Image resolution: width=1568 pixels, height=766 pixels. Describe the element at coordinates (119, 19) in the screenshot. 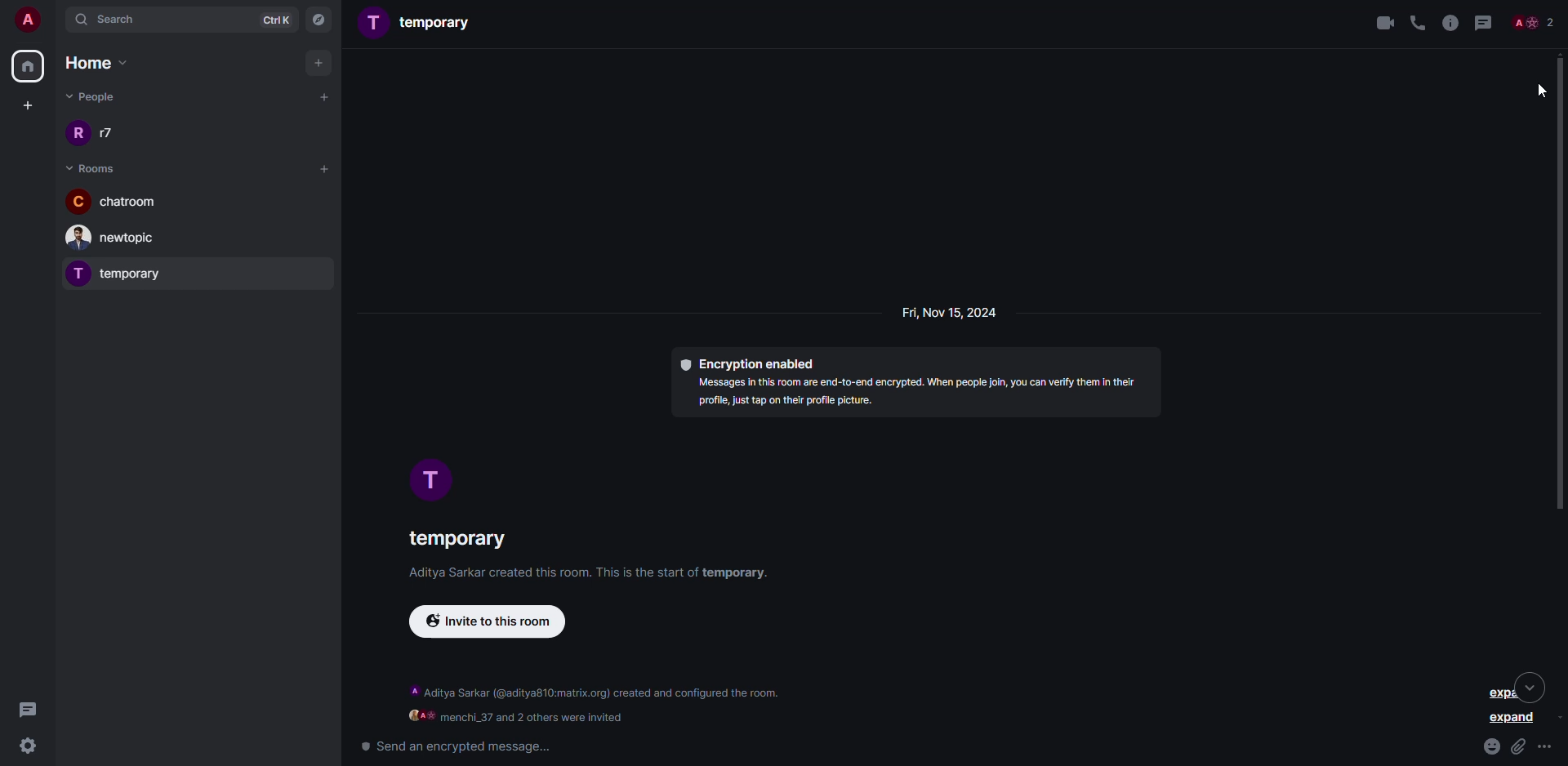

I see `search` at that location.